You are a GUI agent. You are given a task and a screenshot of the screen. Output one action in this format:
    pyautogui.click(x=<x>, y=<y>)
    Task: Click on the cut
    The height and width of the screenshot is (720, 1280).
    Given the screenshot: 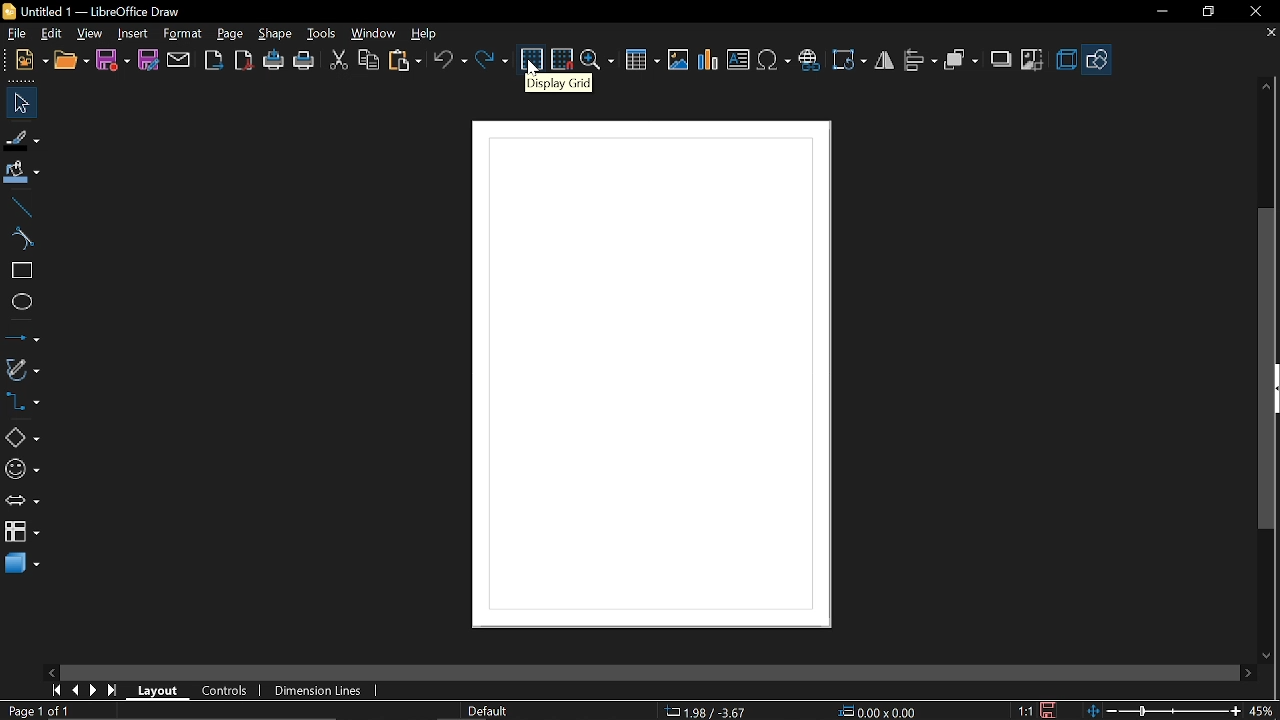 What is the action you would take?
    pyautogui.click(x=339, y=61)
    